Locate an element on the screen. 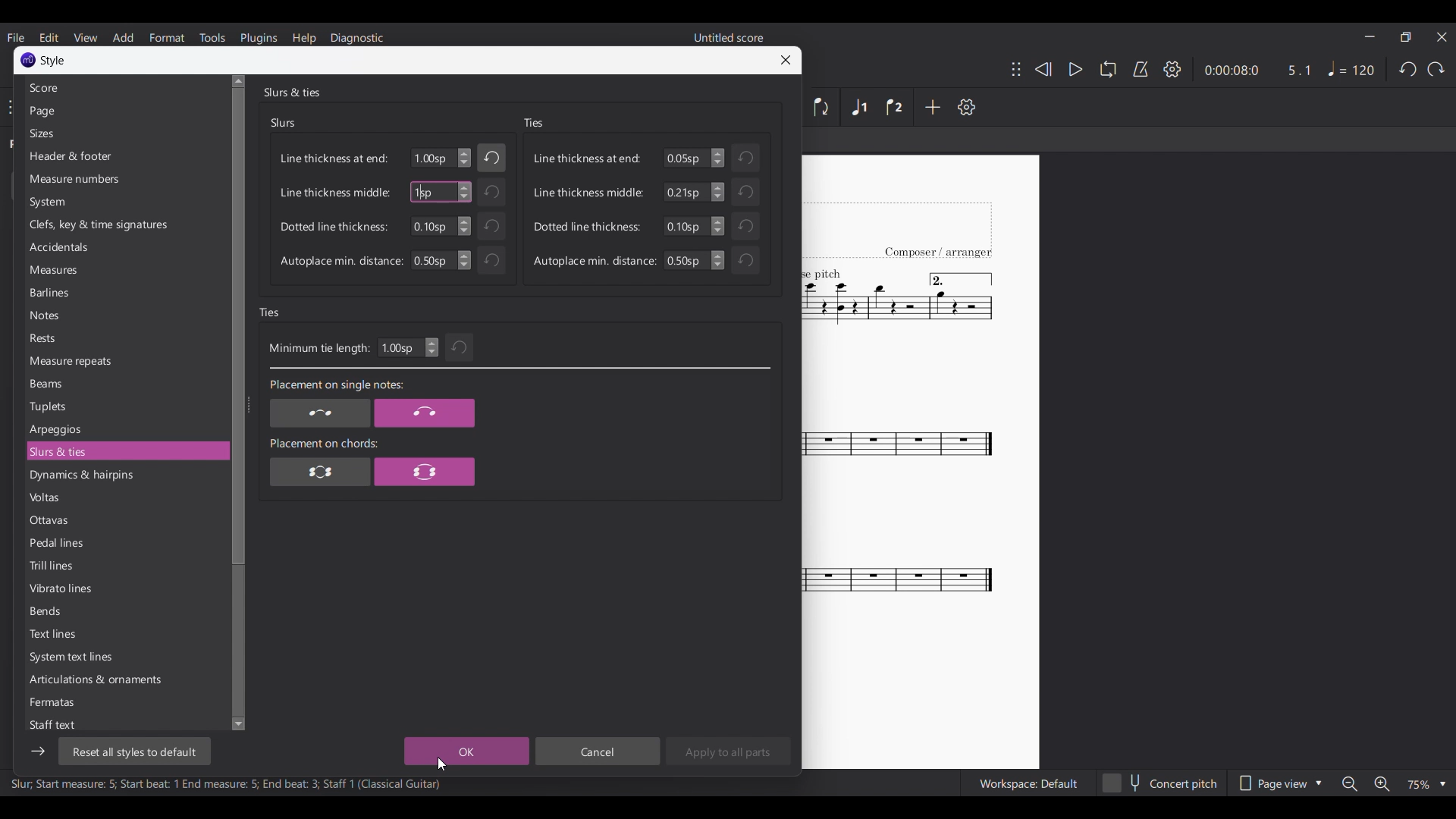 The width and height of the screenshot is (1456, 819). Settings is located at coordinates (1172, 69).